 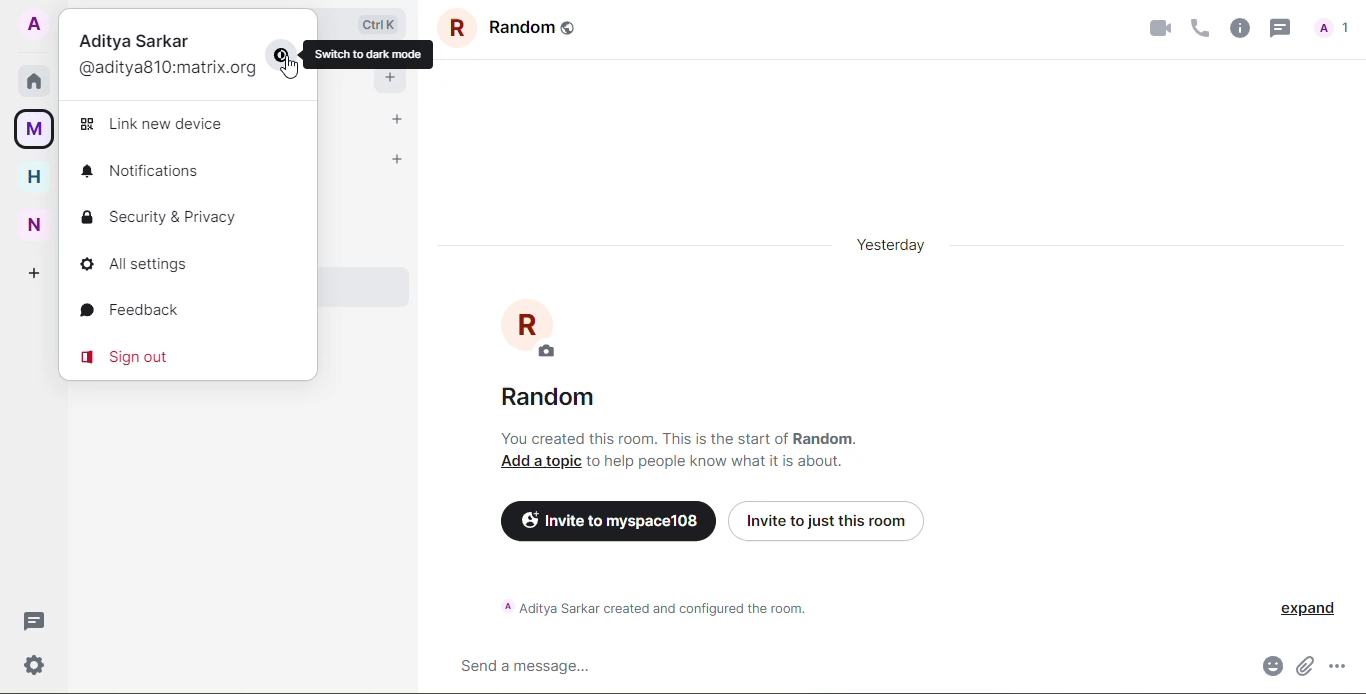 I want to click on sign out, so click(x=127, y=353).